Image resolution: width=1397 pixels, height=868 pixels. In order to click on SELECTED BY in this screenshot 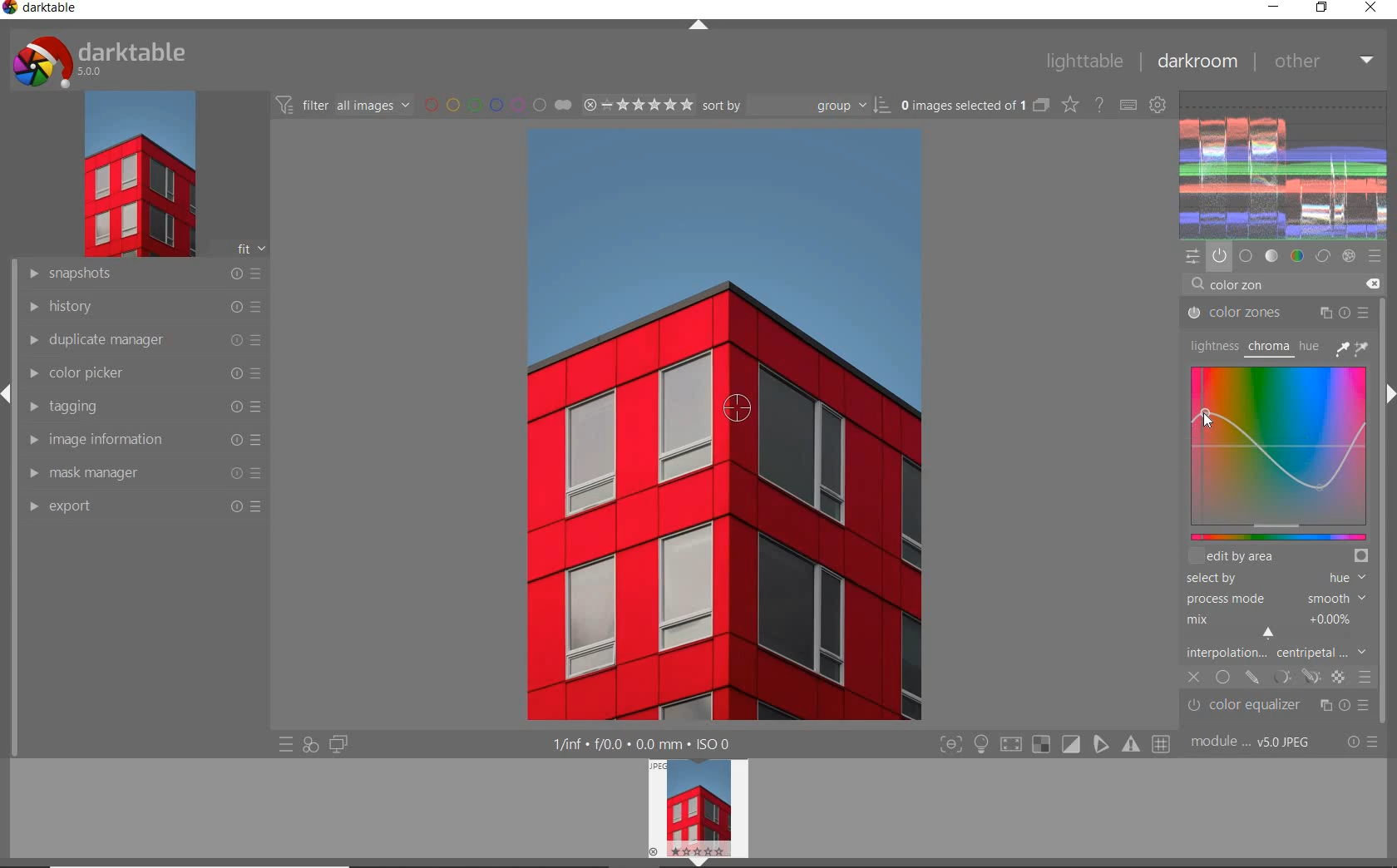, I will do `click(1271, 579)`.